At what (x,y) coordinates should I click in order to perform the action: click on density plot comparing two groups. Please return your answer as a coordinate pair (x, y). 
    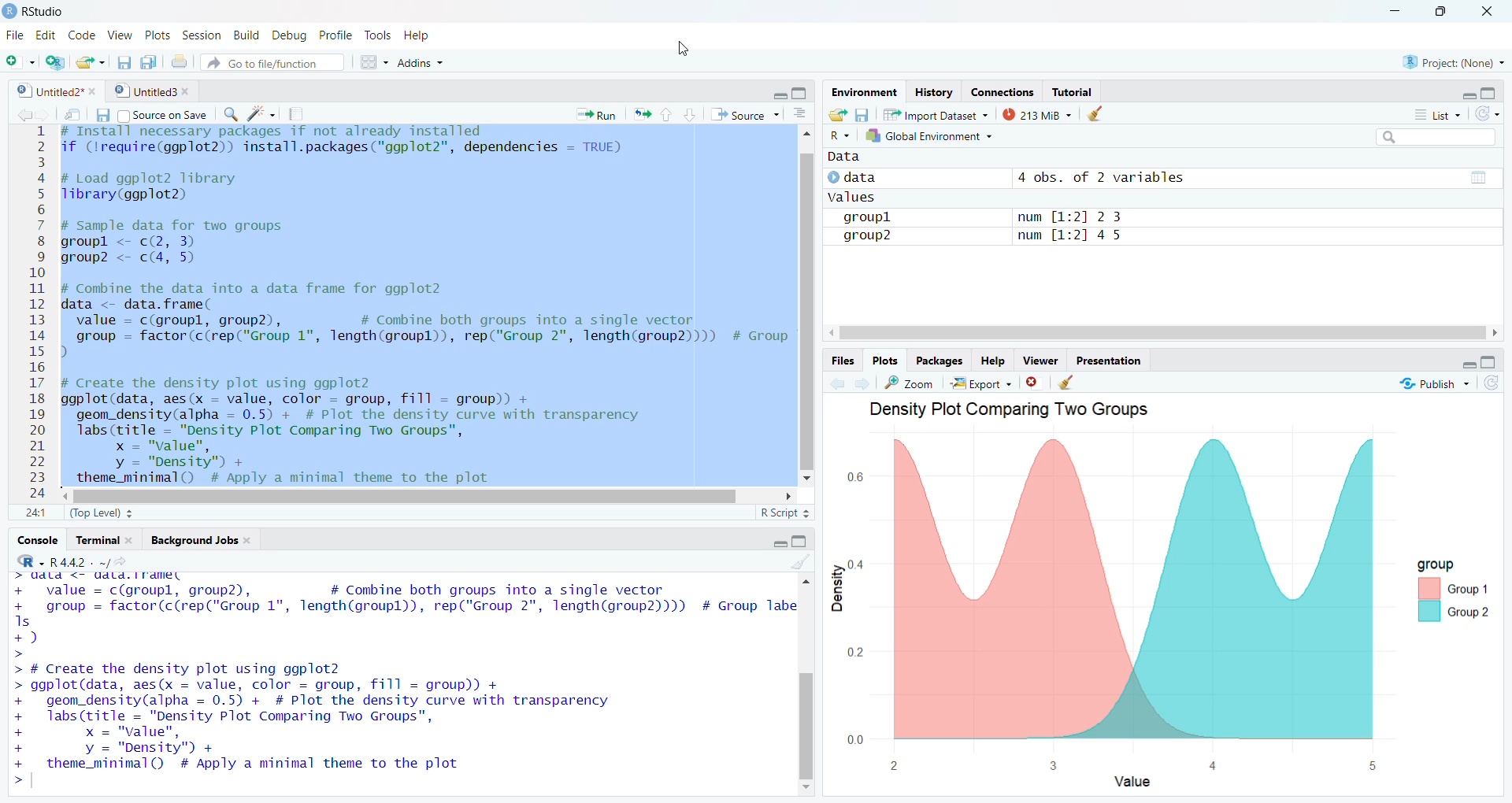
    Looking at the image, I should click on (1005, 411).